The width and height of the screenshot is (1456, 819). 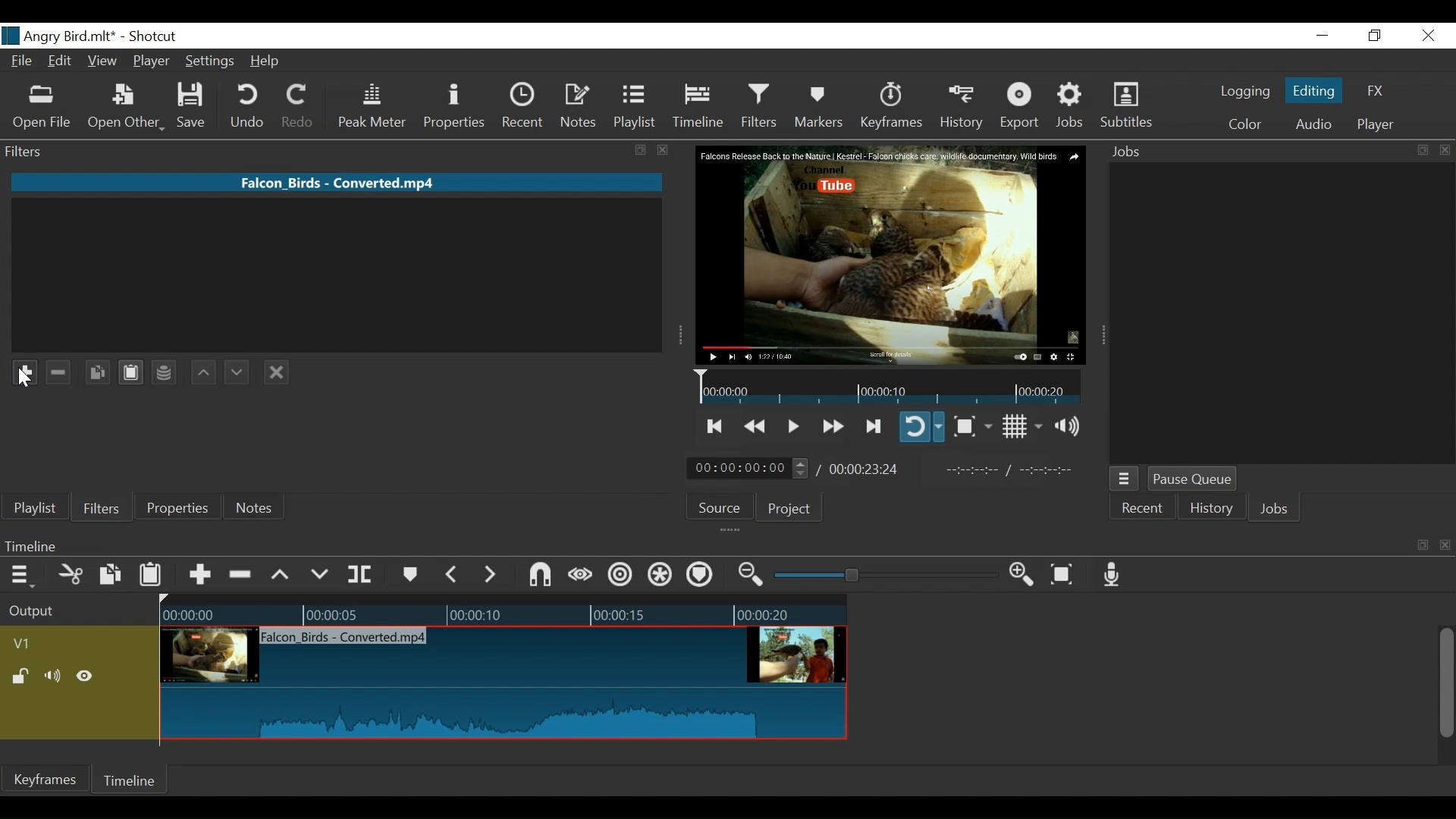 What do you see at coordinates (42, 108) in the screenshot?
I see `Open File` at bounding box center [42, 108].